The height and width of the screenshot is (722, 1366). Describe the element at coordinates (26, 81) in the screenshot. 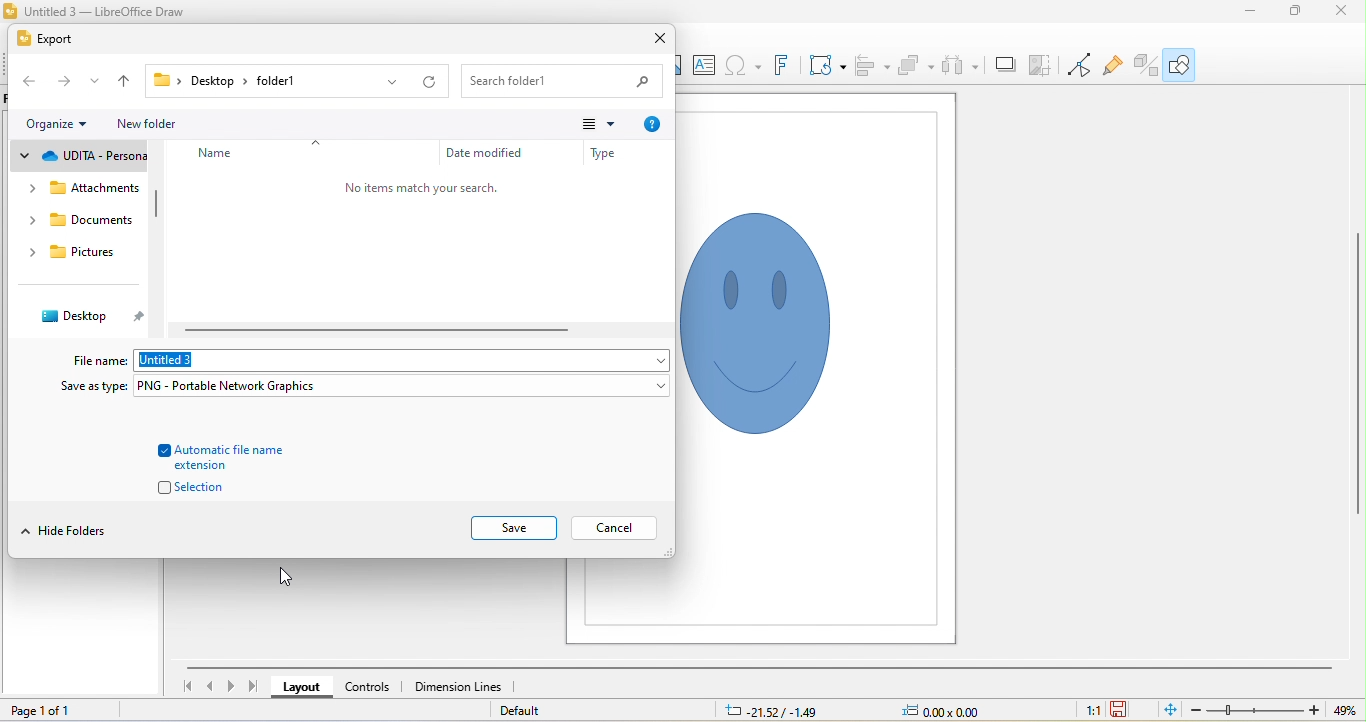

I see `back` at that location.